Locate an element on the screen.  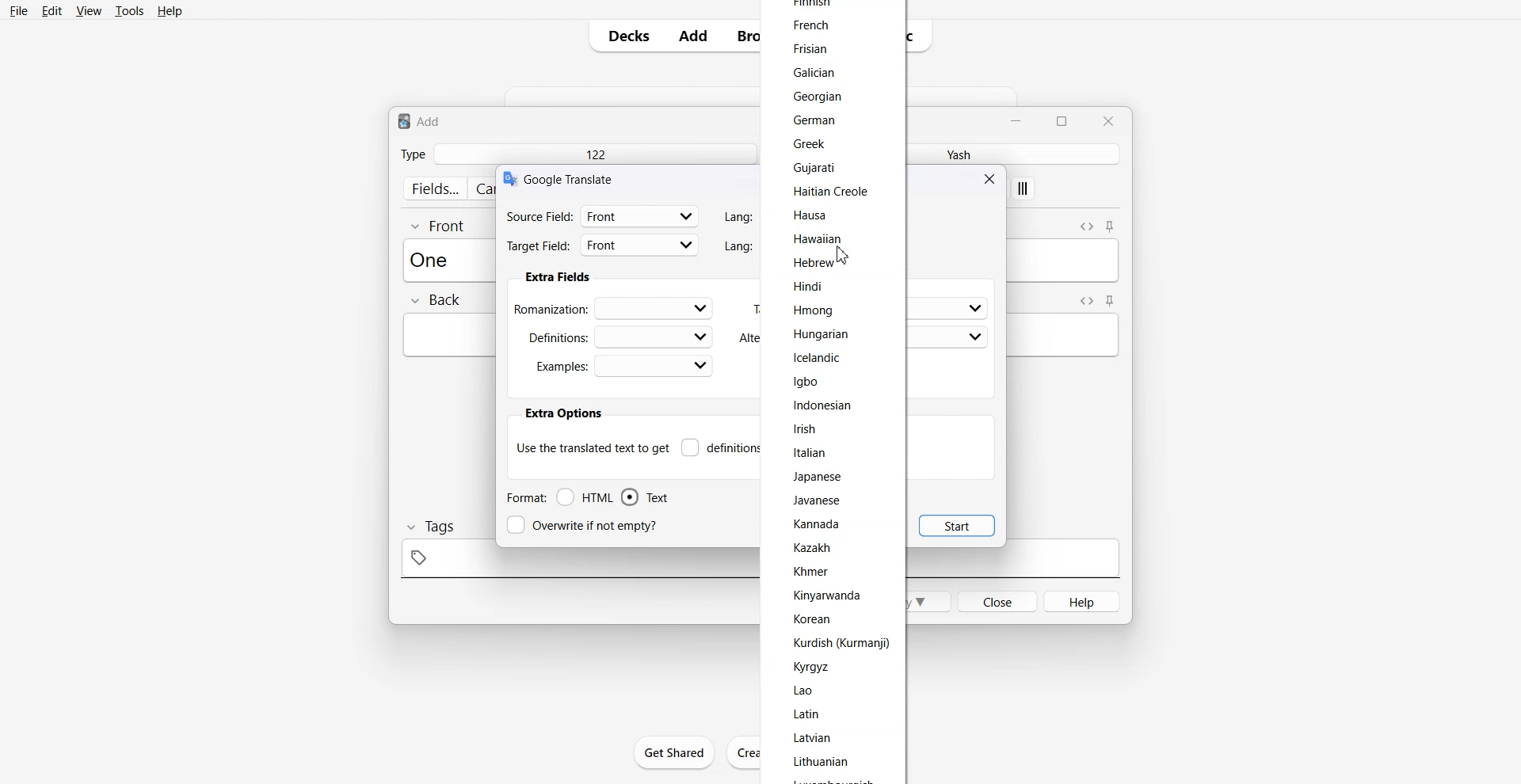
Hmong is located at coordinates (818, 311).